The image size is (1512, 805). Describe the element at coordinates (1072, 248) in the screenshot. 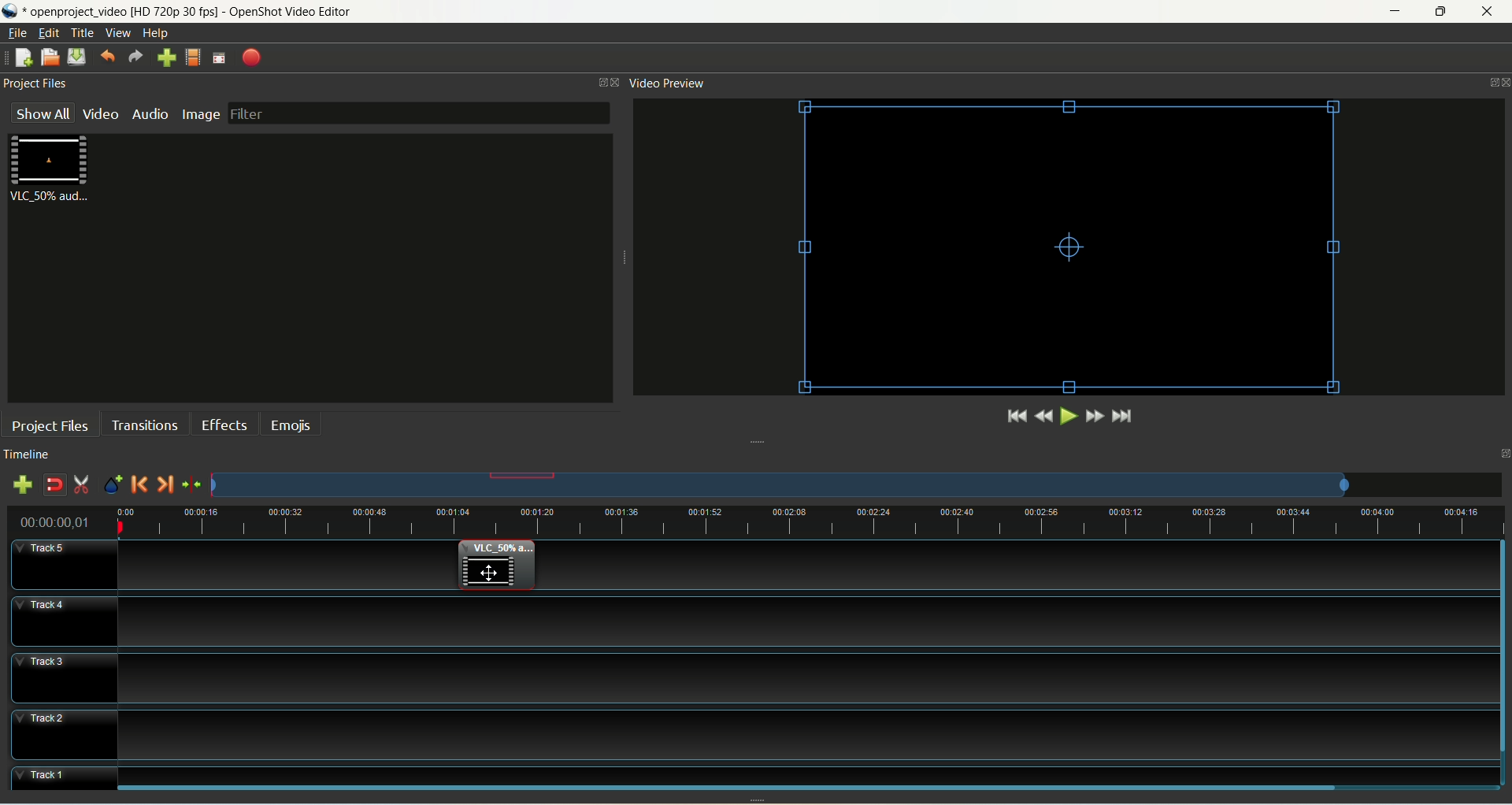

I see `video clip` at that location.